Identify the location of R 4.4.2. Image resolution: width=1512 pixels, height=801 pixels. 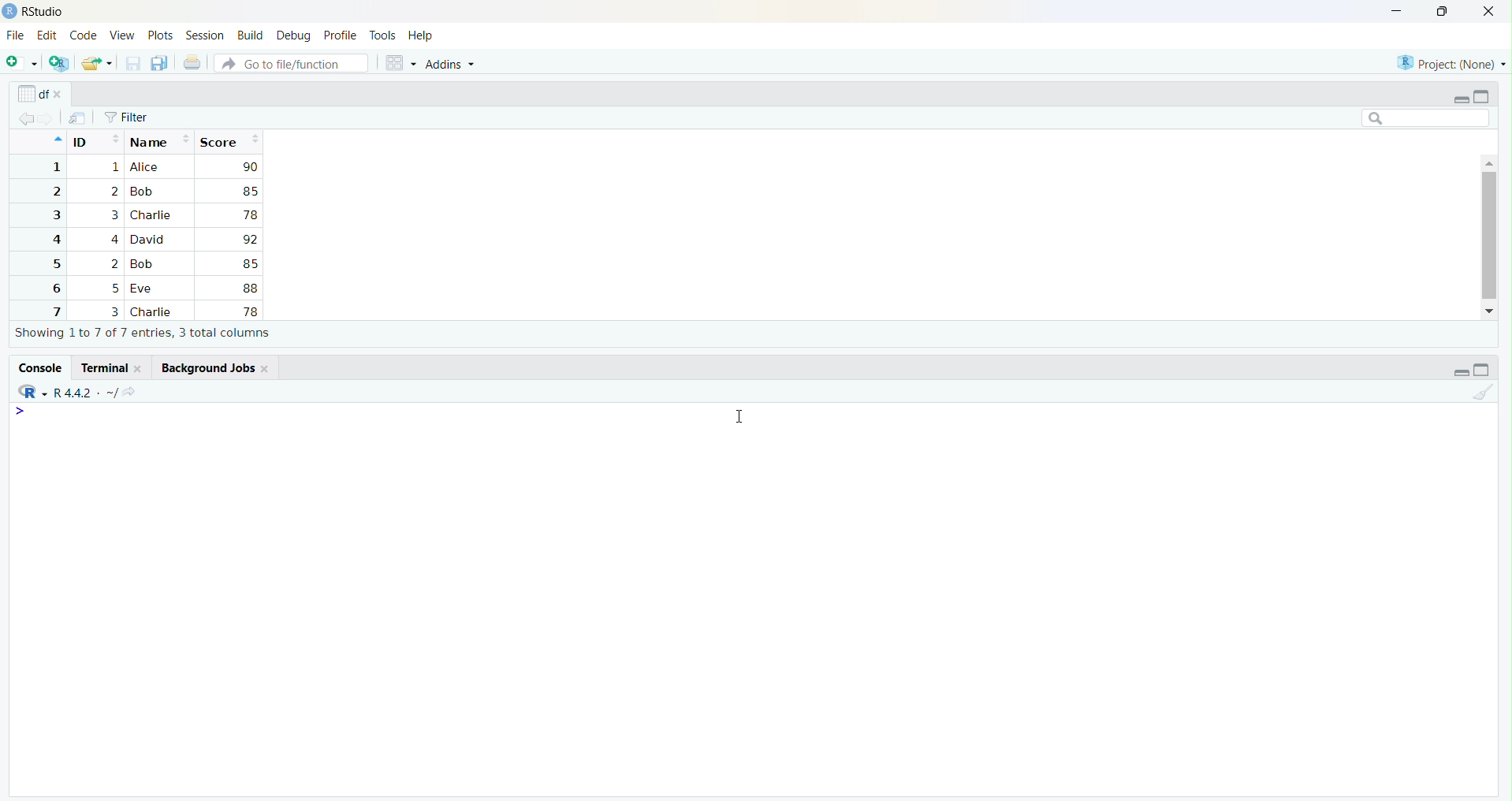
(73, 393).